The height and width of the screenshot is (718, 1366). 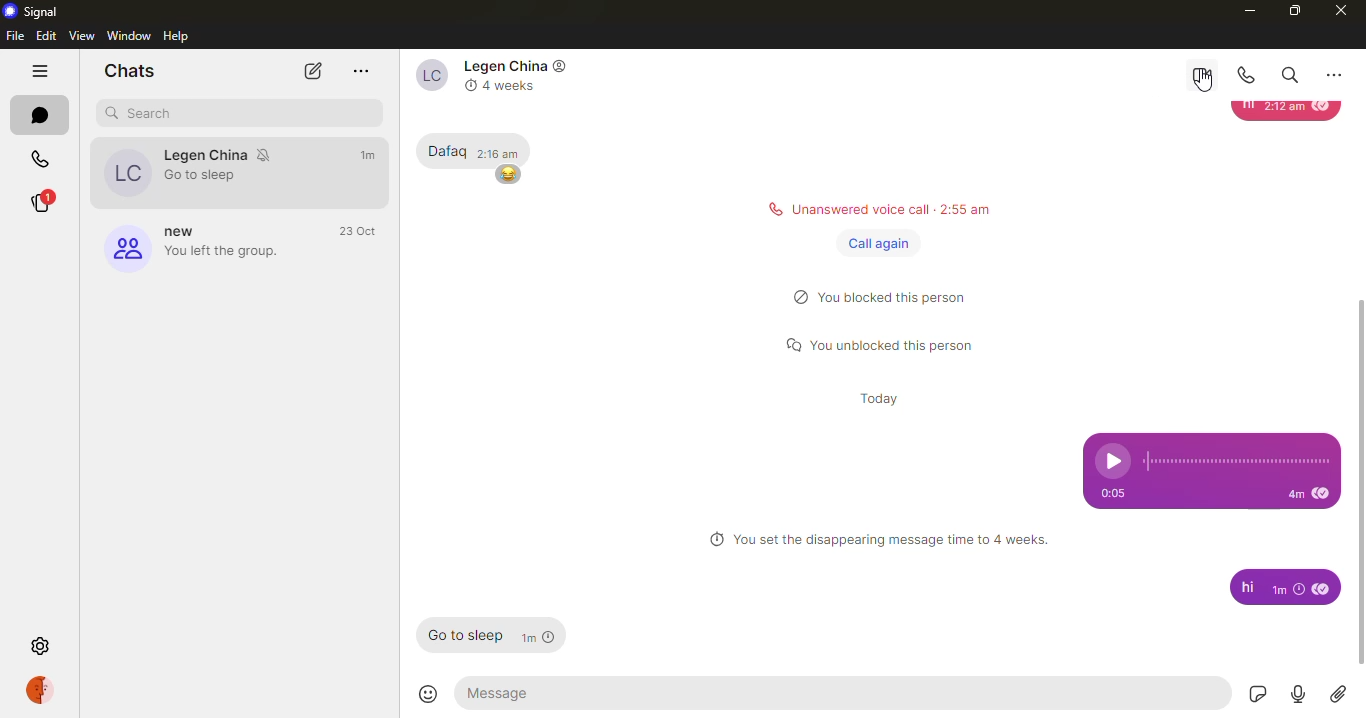 I want to click on mute notifications, so click(x=269, y=155).